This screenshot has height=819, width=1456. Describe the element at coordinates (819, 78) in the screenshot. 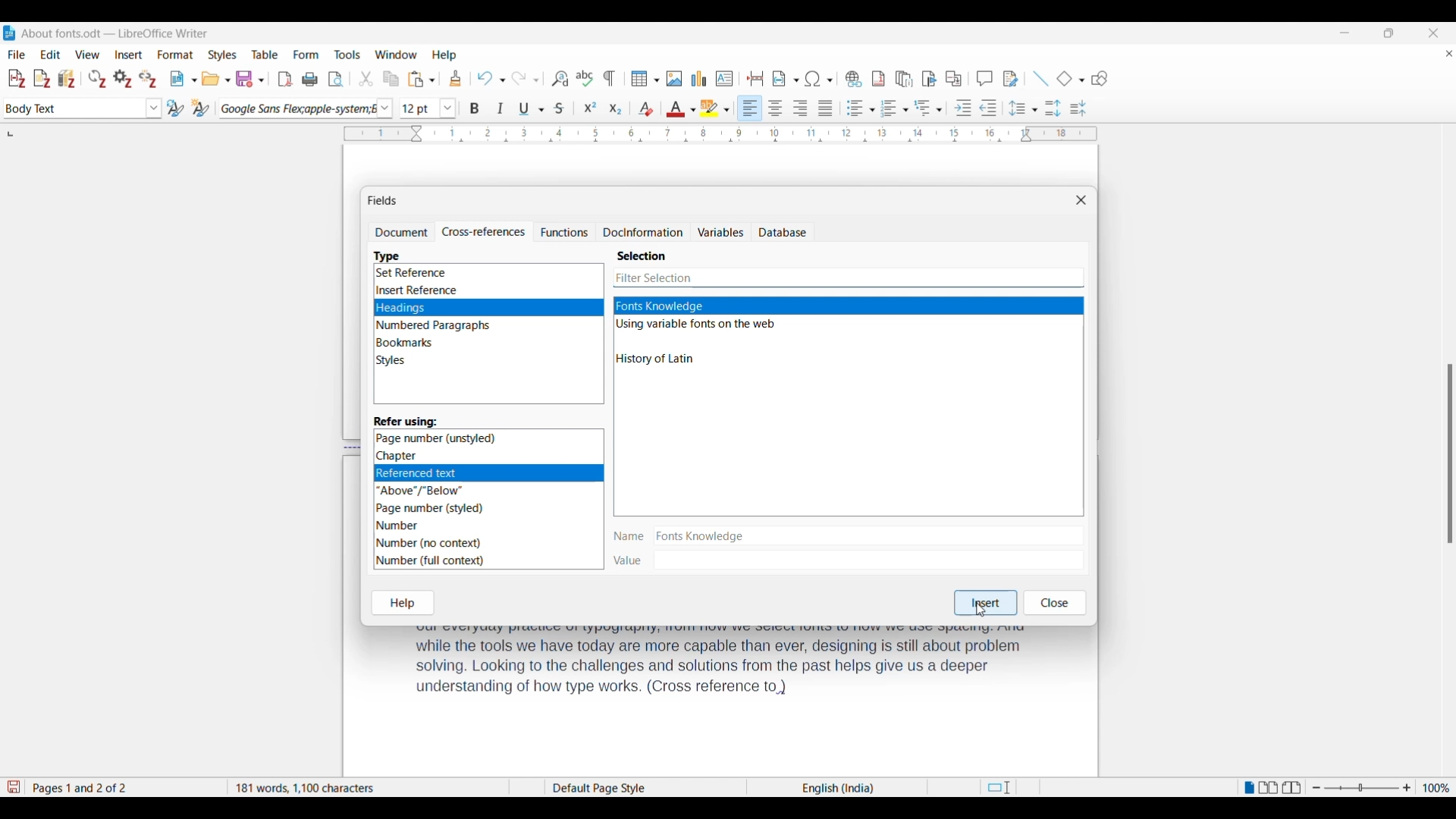

I see `Special character options` at that location.